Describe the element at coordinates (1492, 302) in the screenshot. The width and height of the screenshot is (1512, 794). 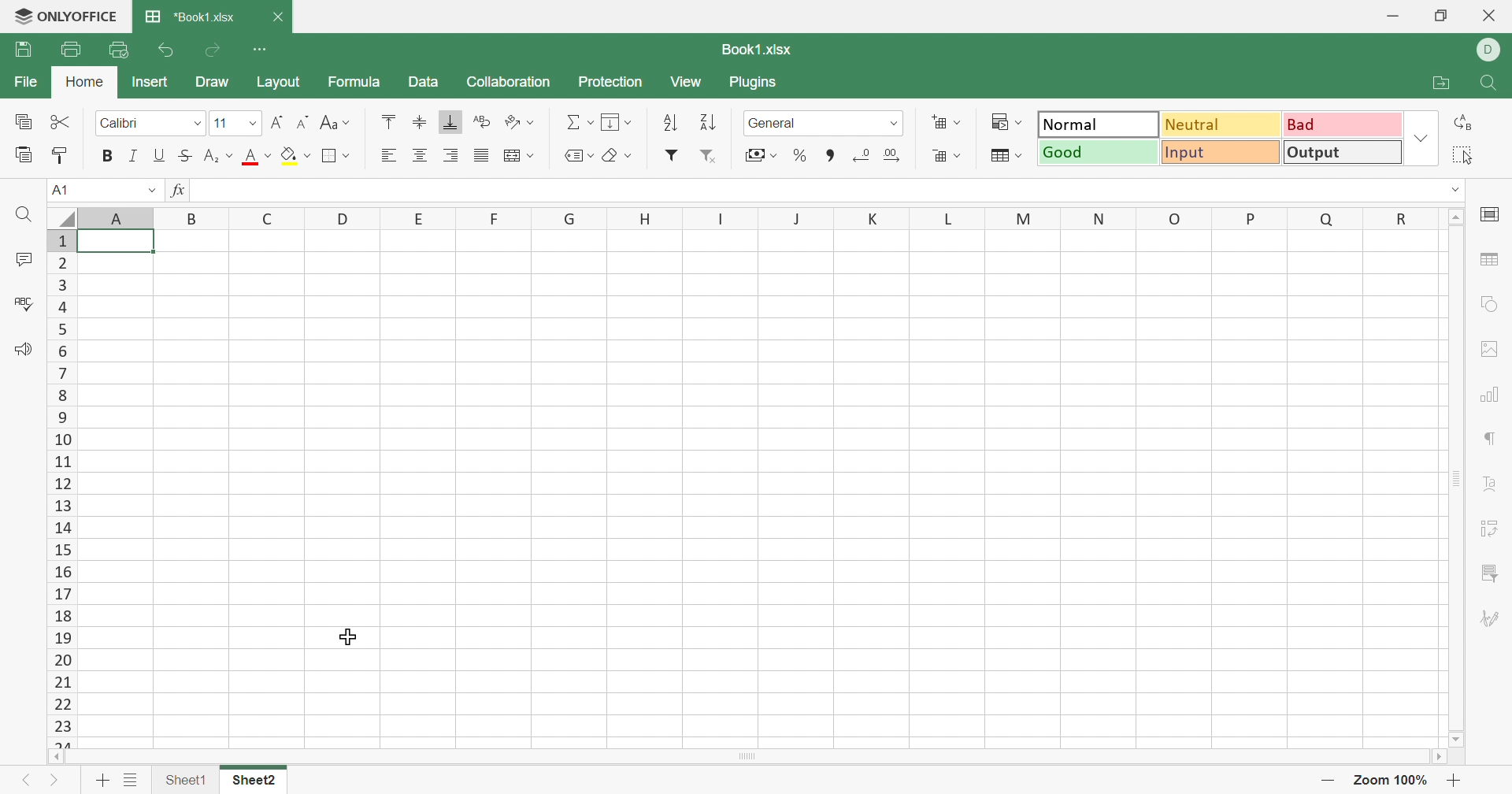
I see `Shape settings` at that location.